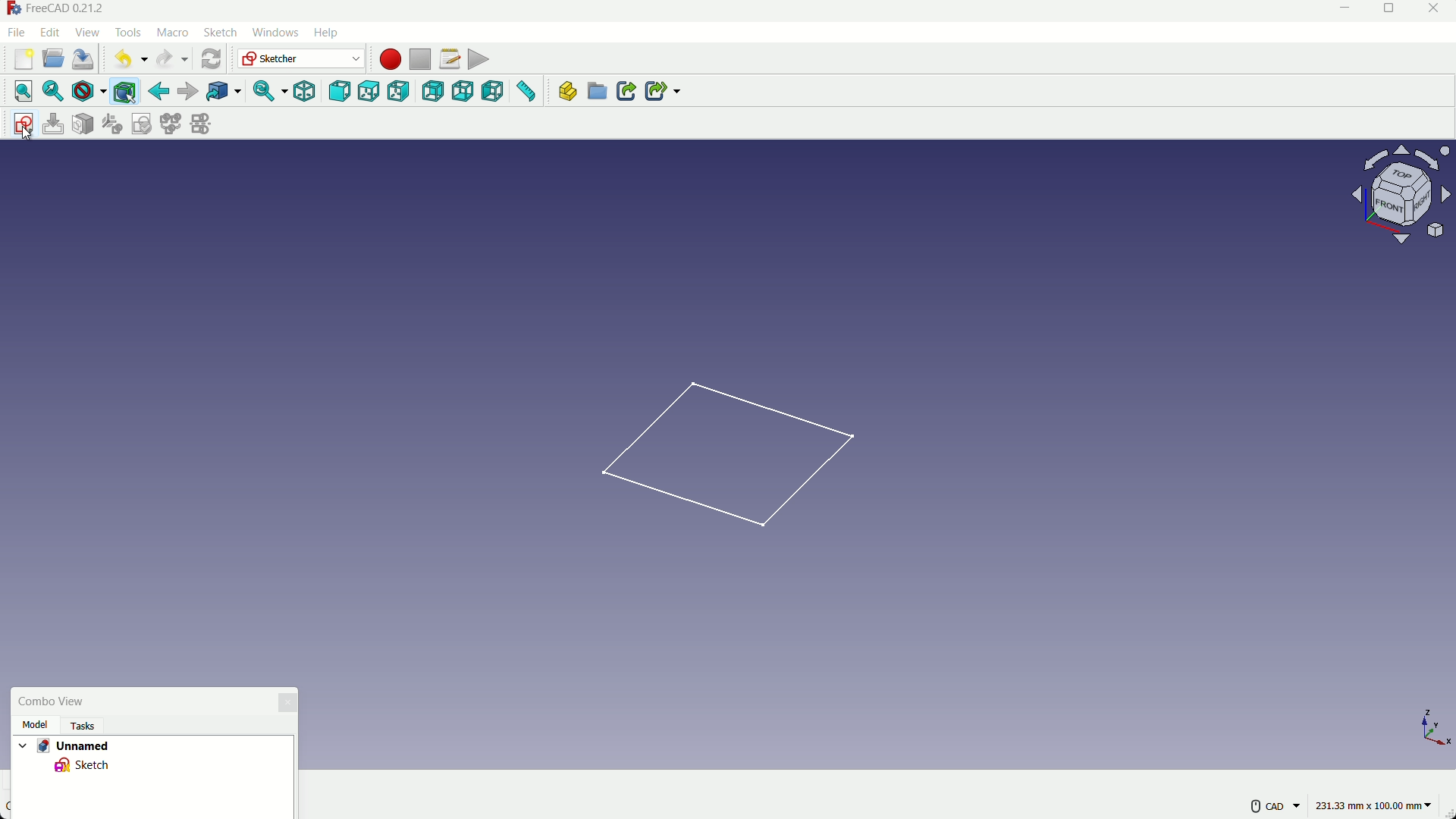 This screenshot has height=819, width=1456. Describe the element at coordinates (449, 59) in the screenshot. I see `macros setting` at that location.